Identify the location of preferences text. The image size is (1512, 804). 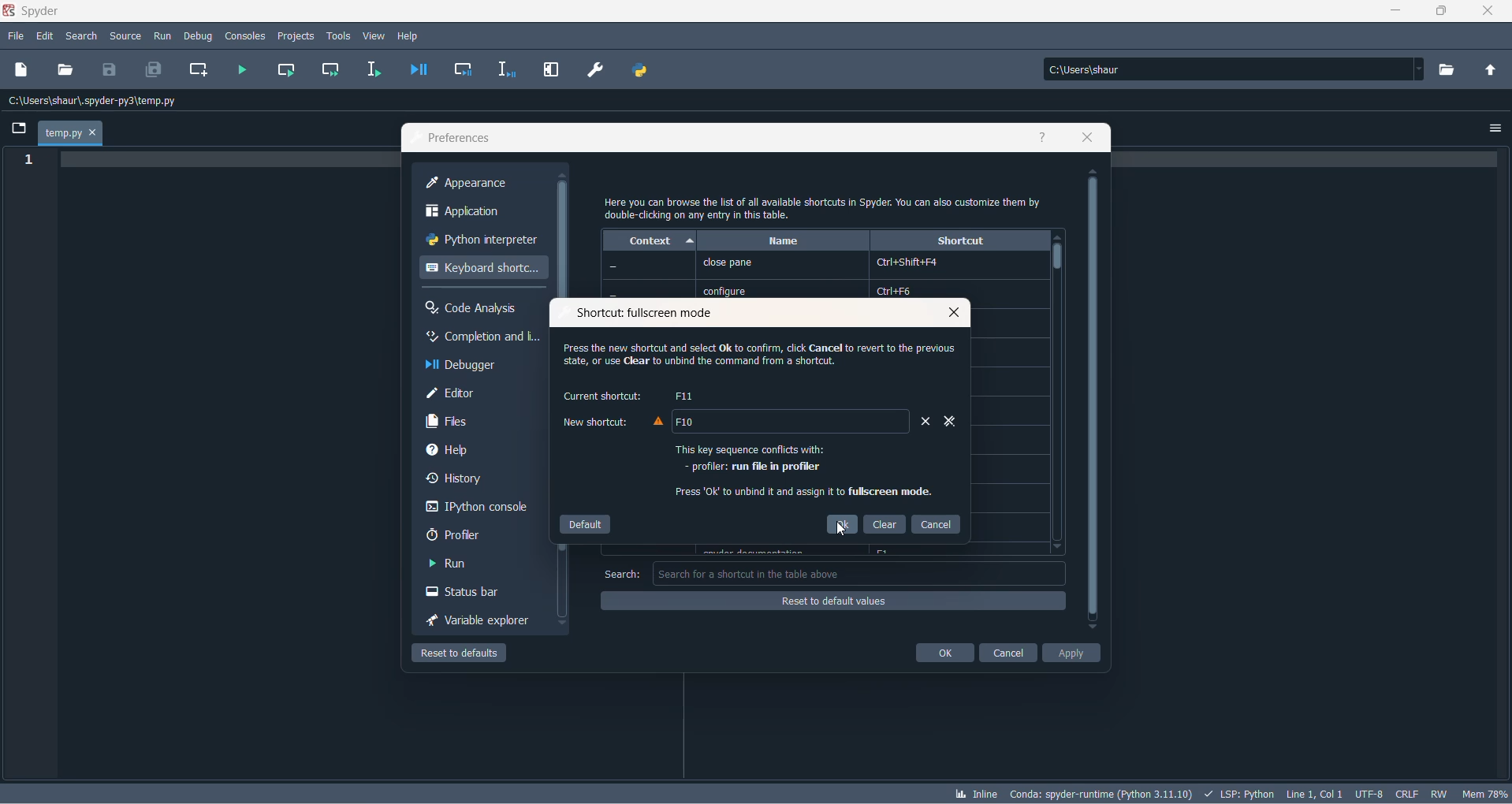
(458, 139).